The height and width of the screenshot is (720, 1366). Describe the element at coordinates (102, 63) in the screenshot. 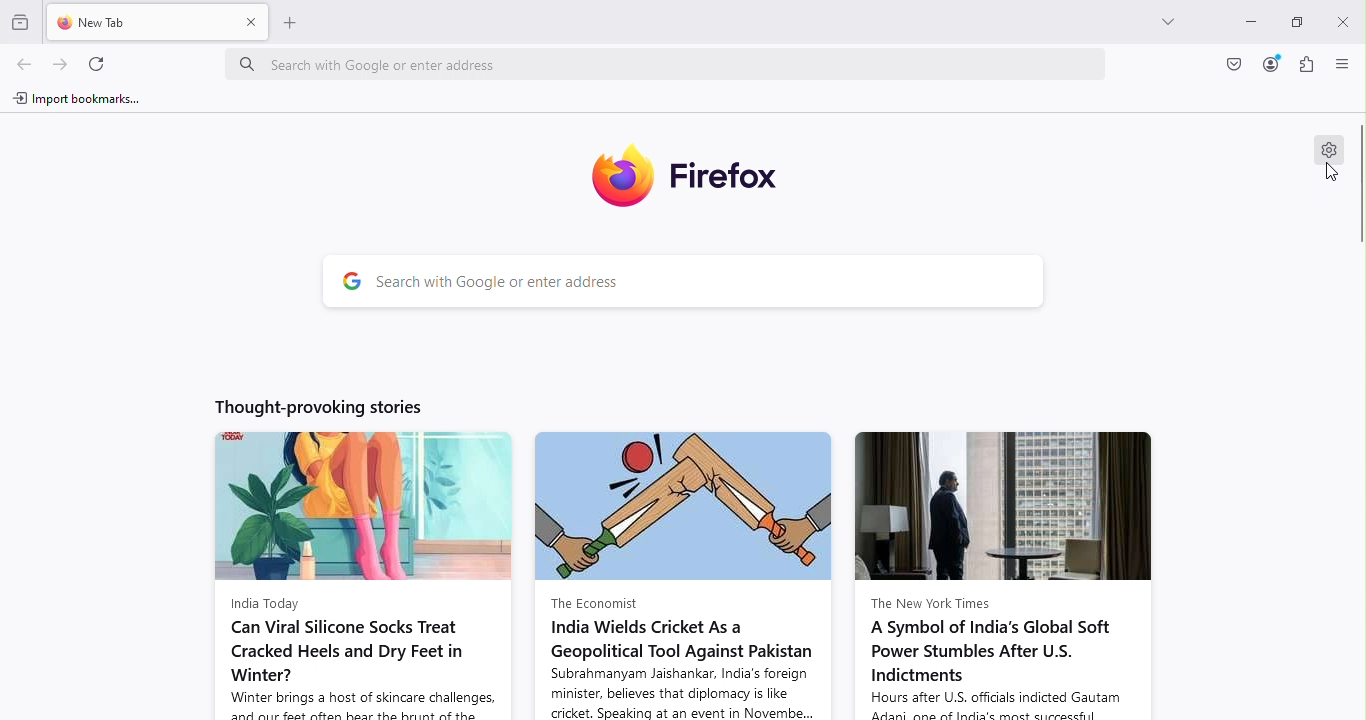

I see `Reload the current page` at that location.